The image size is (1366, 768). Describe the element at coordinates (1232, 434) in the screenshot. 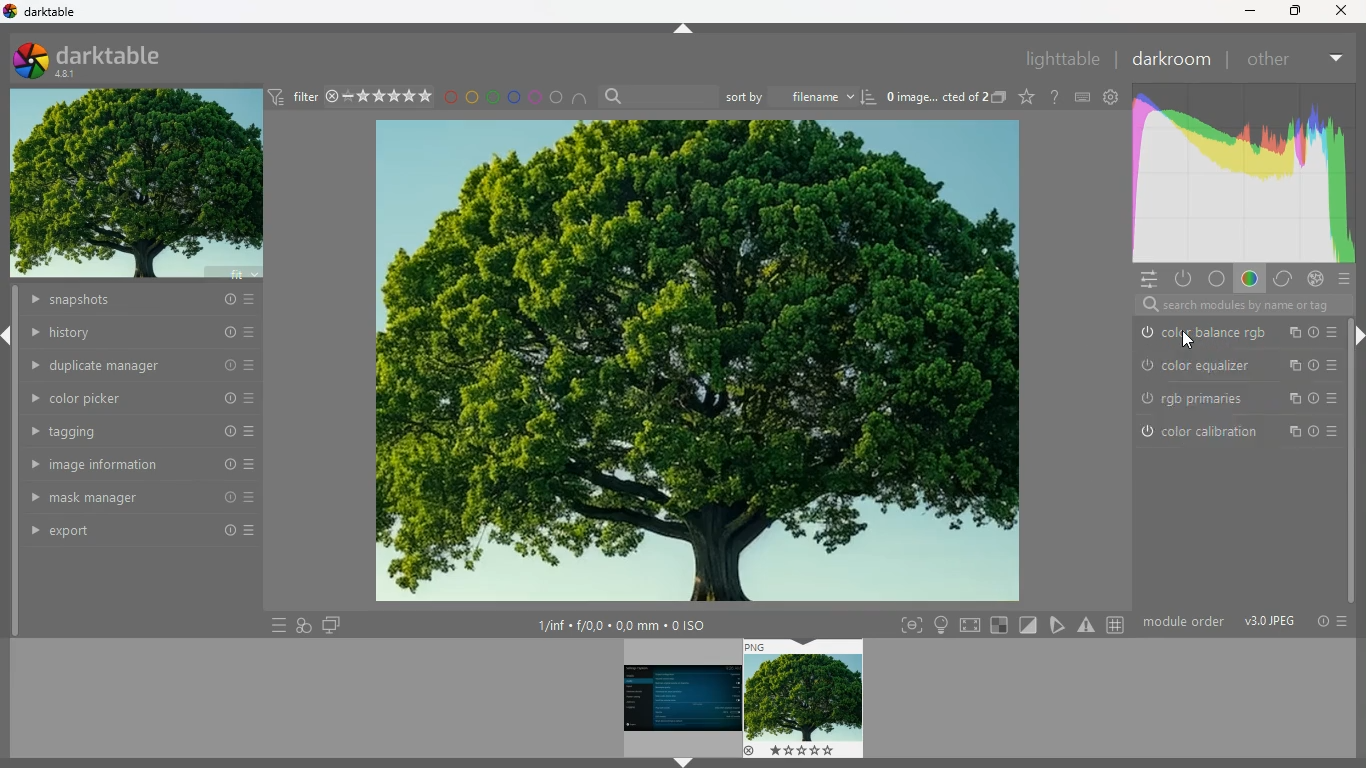

I see `color calibration` at that location.